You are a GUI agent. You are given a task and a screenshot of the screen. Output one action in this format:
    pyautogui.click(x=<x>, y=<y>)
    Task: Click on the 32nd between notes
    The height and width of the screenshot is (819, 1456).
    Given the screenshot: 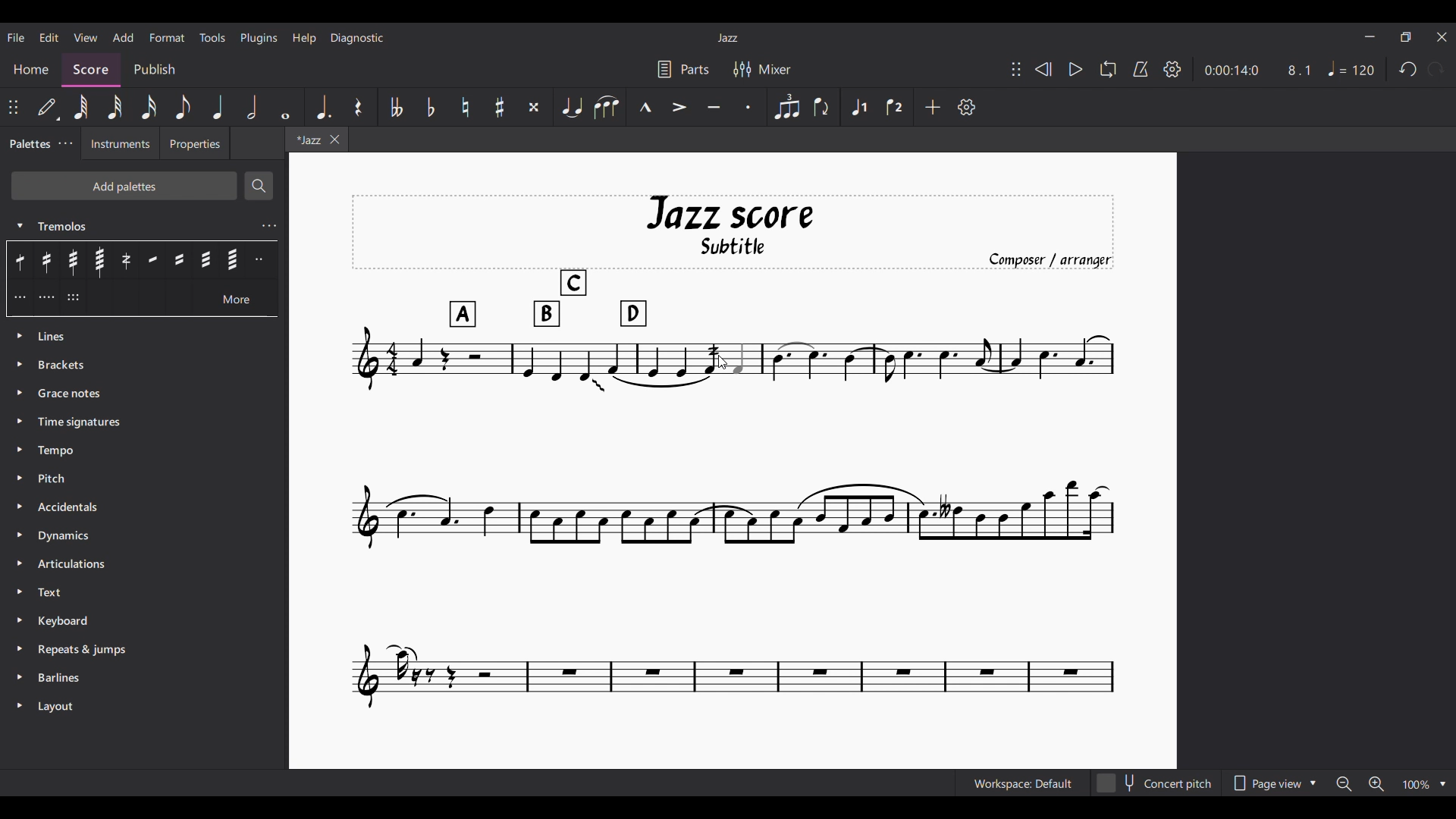 What is the action you would take?
    pyautogui.click(x=206, y=259)
    